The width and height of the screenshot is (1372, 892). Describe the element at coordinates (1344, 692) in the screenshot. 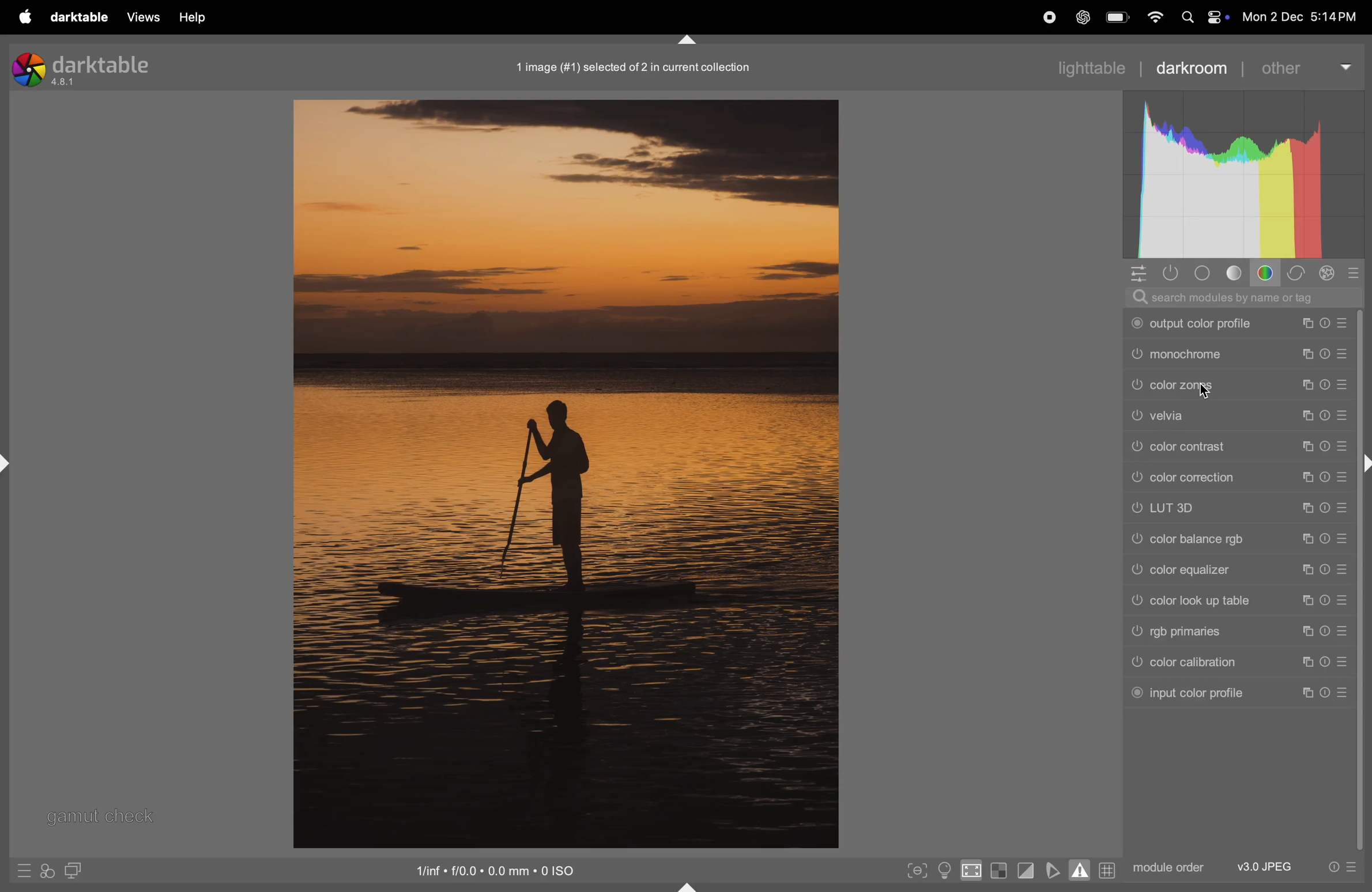

I see `preset` at that location.